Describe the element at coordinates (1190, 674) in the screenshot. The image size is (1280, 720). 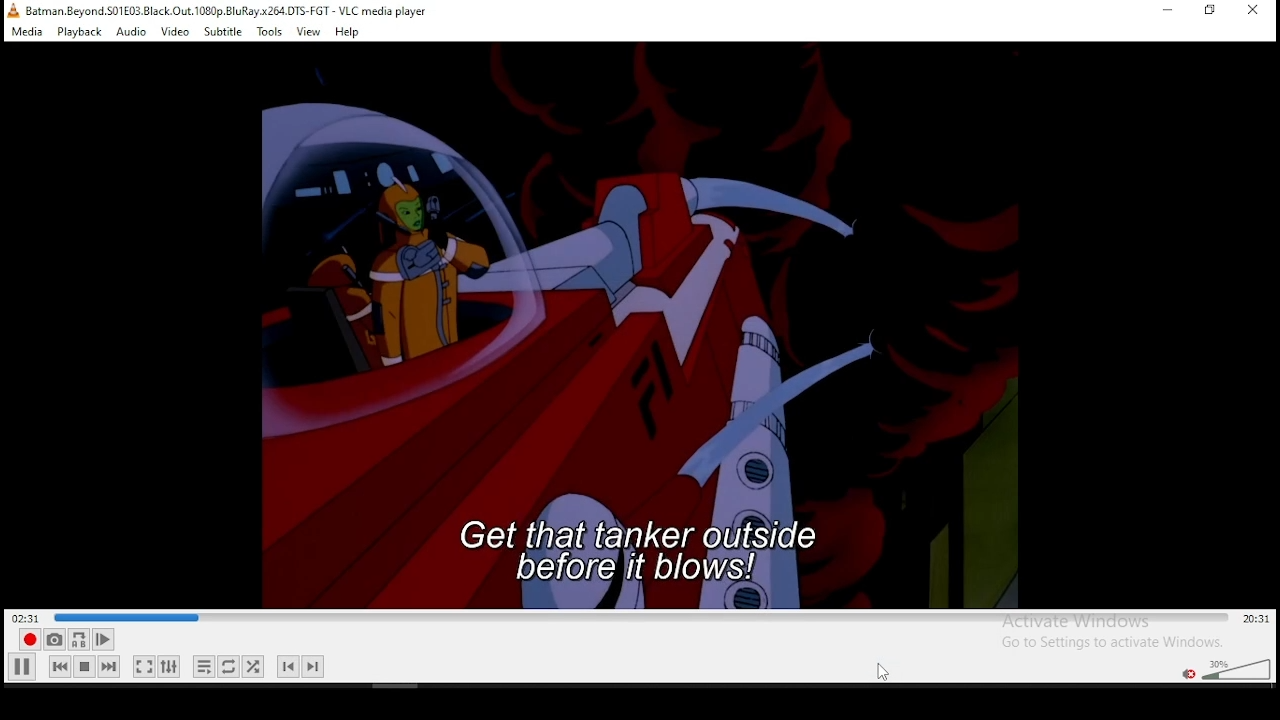
I see `mute/unmute` at that location.